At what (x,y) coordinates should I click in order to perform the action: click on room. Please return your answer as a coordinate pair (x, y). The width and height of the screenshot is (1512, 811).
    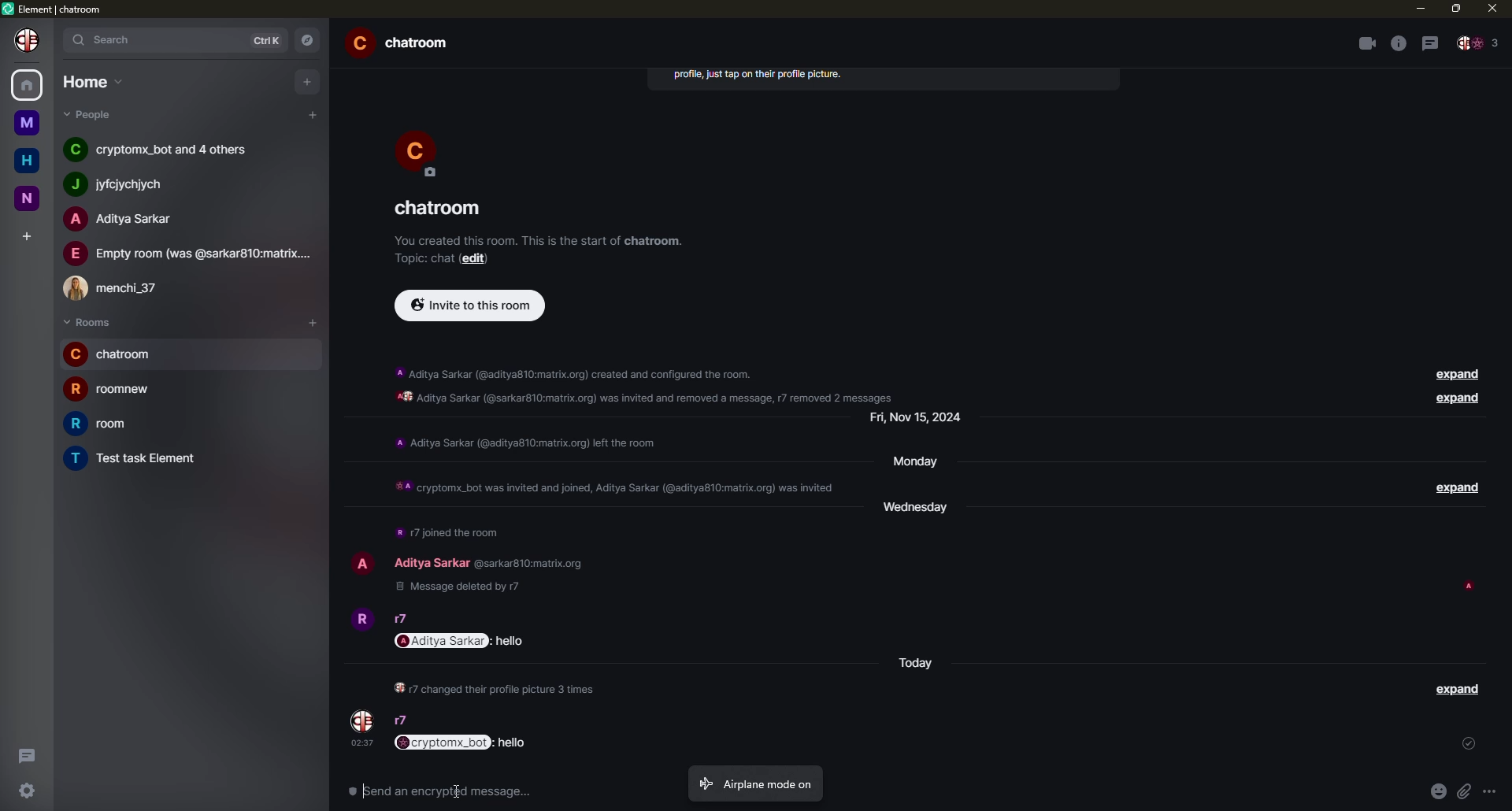
    Looking at the image, I should click on (442, 209).